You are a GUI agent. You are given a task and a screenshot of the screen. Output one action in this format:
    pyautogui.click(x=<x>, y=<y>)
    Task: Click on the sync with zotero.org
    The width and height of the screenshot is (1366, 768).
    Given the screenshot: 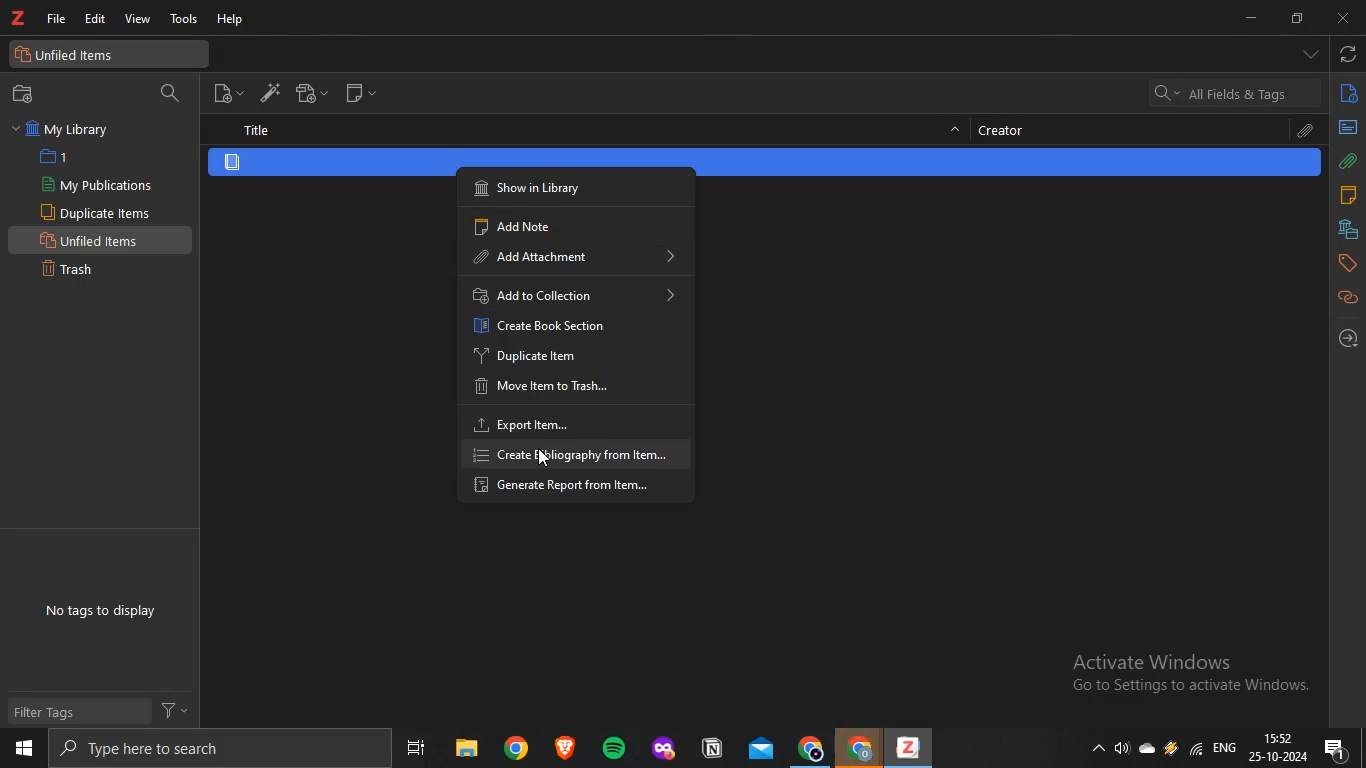 What is the action you would take?
    pyautogui.click(x=1349, y=52)
    